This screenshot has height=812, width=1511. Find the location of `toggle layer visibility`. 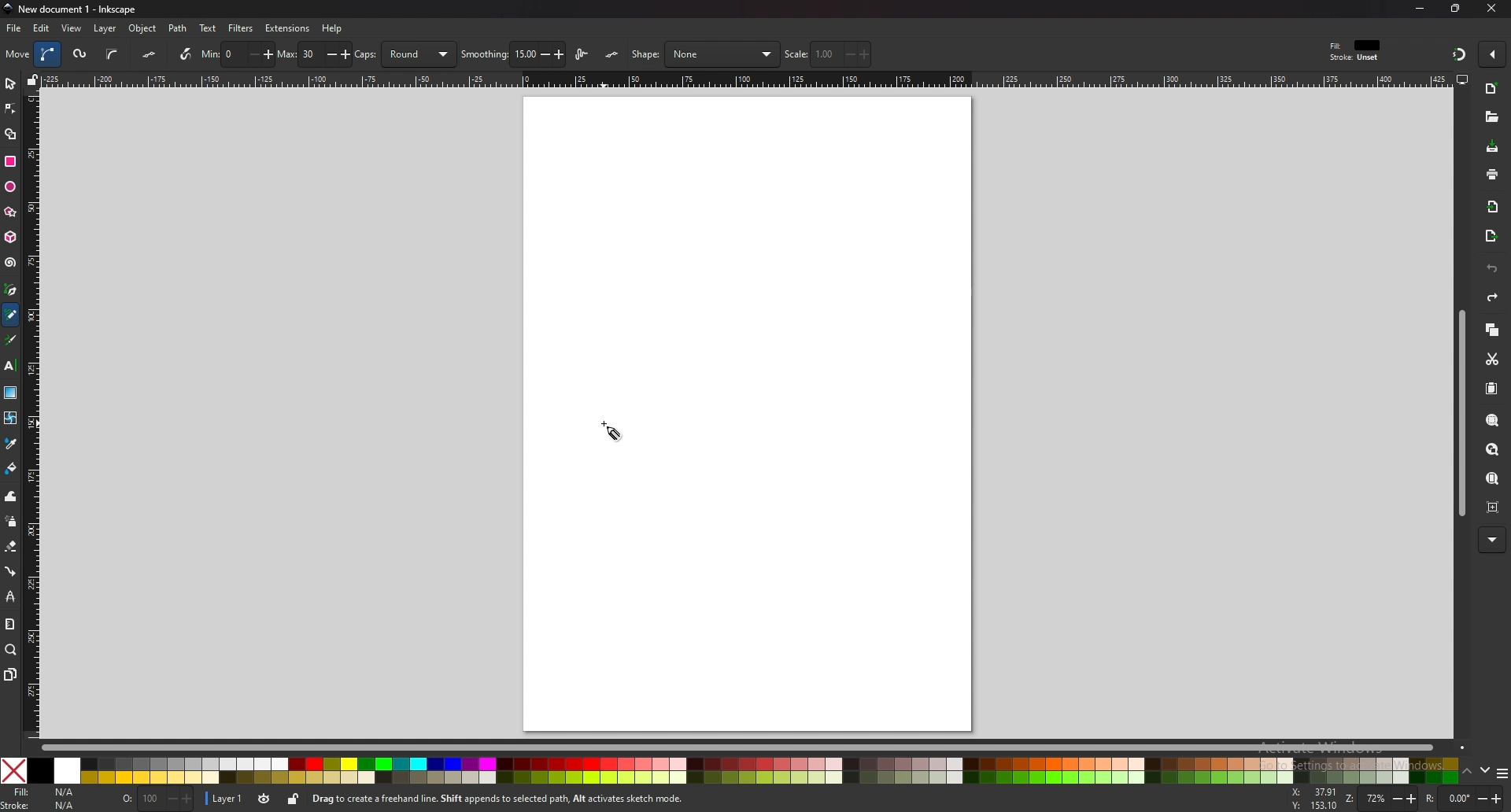

toggle layer visibility is located at coordinates (264, 799).